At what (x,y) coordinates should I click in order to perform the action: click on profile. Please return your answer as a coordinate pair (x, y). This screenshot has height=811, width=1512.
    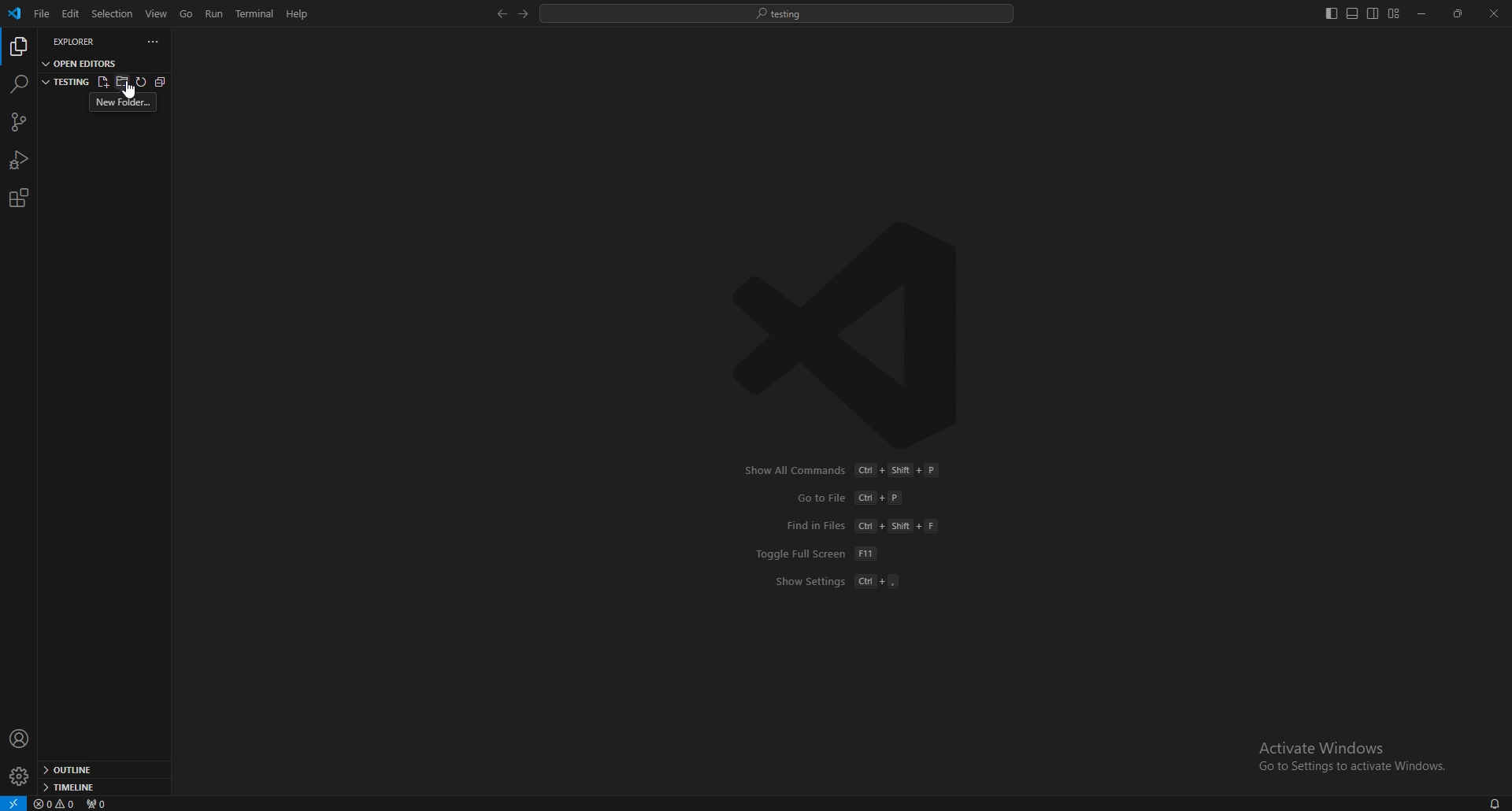
    Looking at the image, I should click on (20, 739).